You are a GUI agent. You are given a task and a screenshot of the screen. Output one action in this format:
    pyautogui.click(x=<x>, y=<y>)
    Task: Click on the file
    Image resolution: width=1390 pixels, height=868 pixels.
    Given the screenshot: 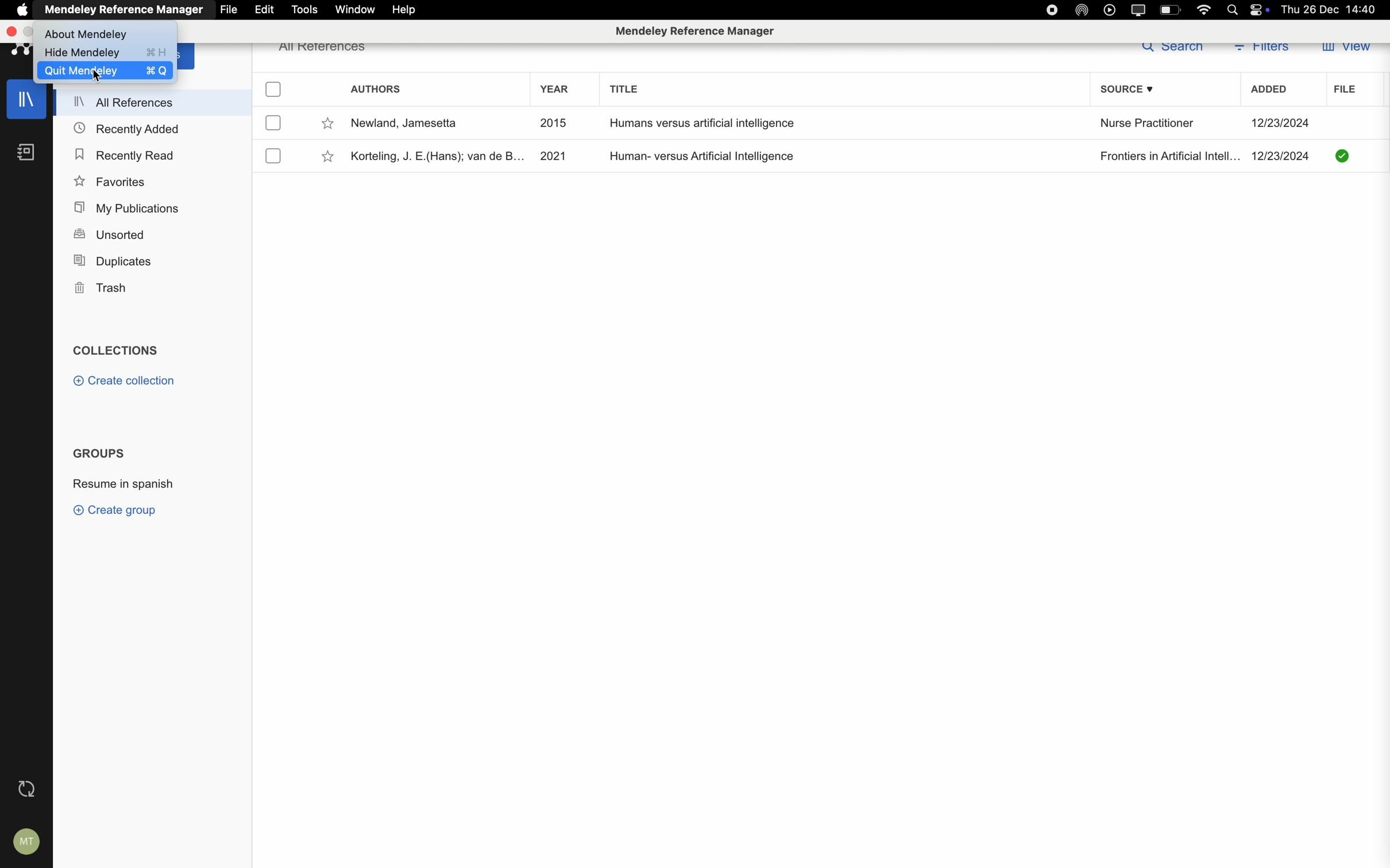 What is the action you would take?
    pyautogui.click(x=1341, y=90)
    